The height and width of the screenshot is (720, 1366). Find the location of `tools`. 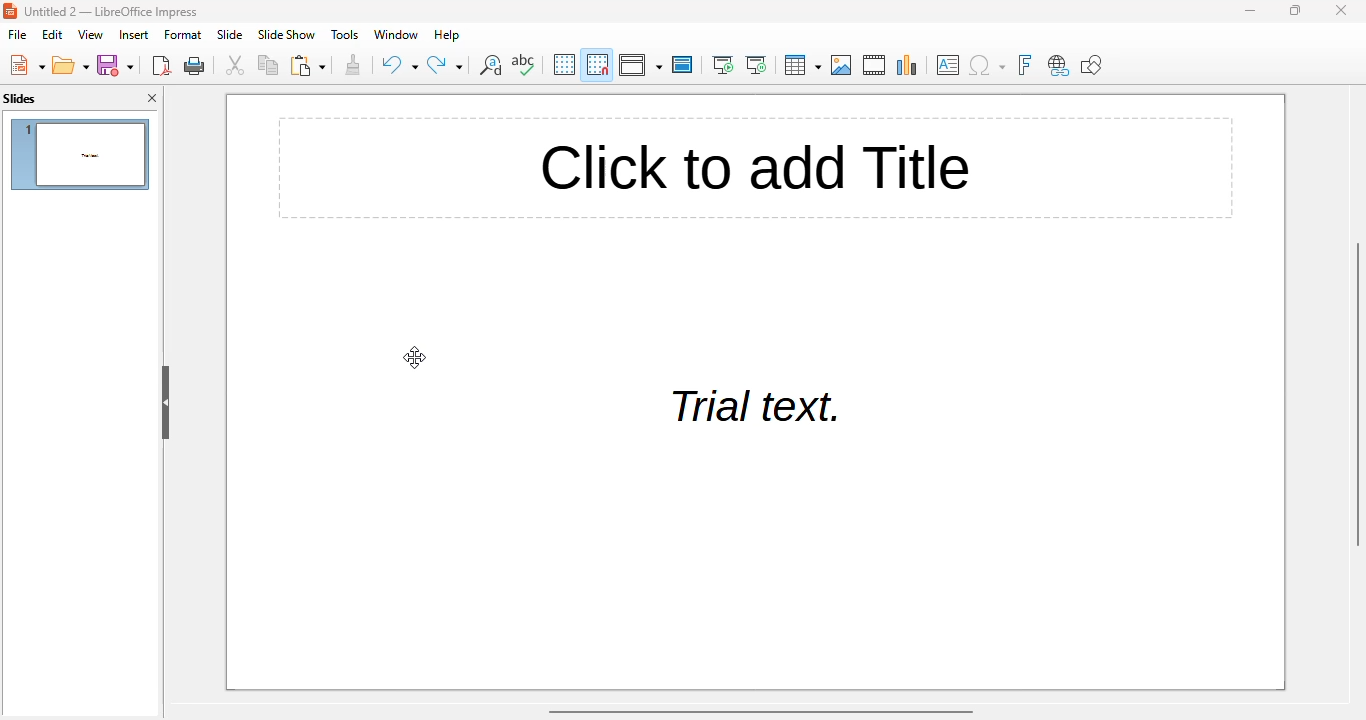

tools is located at coordinates (343, 34).